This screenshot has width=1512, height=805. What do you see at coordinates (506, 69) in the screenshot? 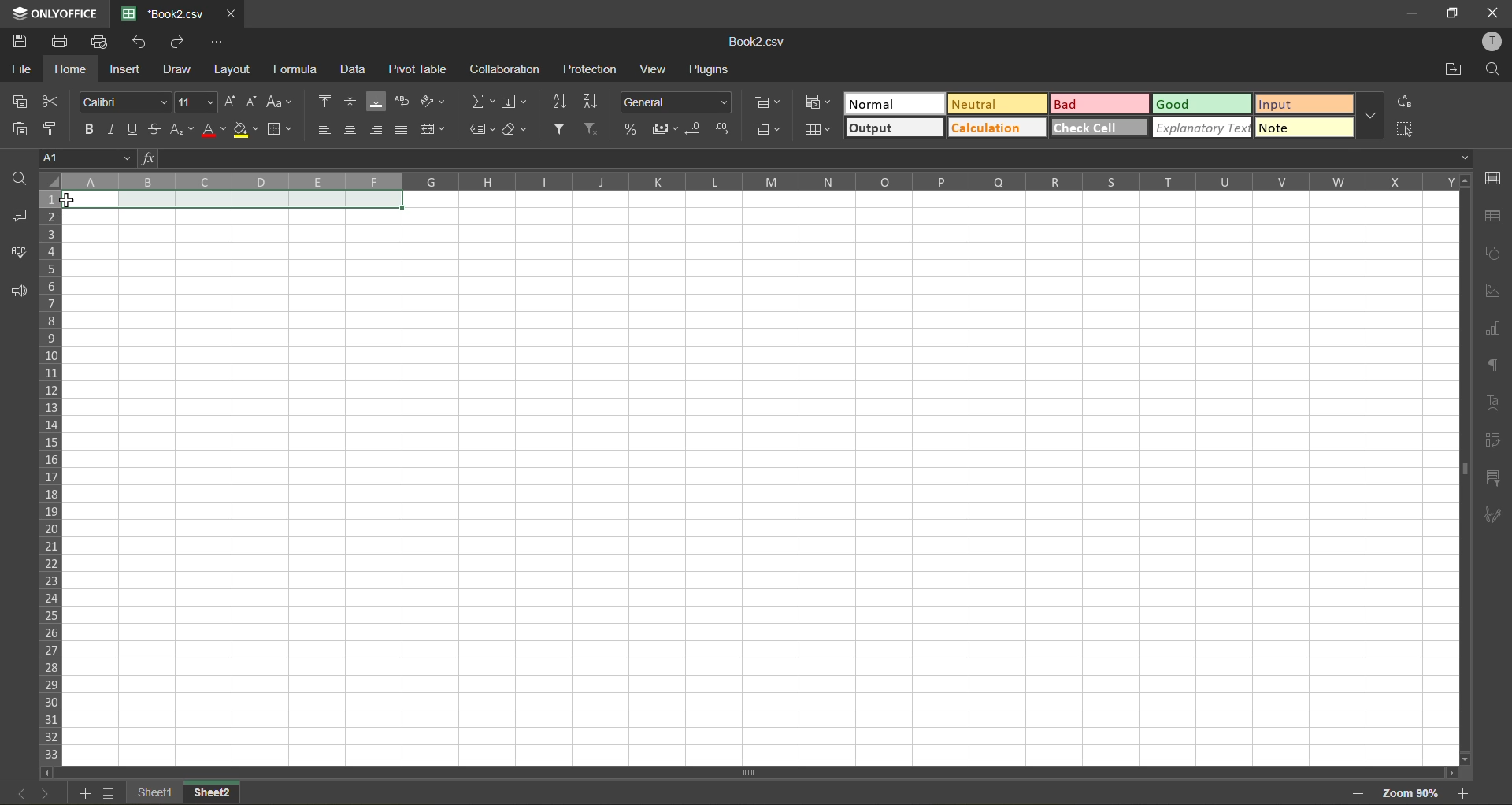
I see `collaboration` at bounding box center [506, 69].